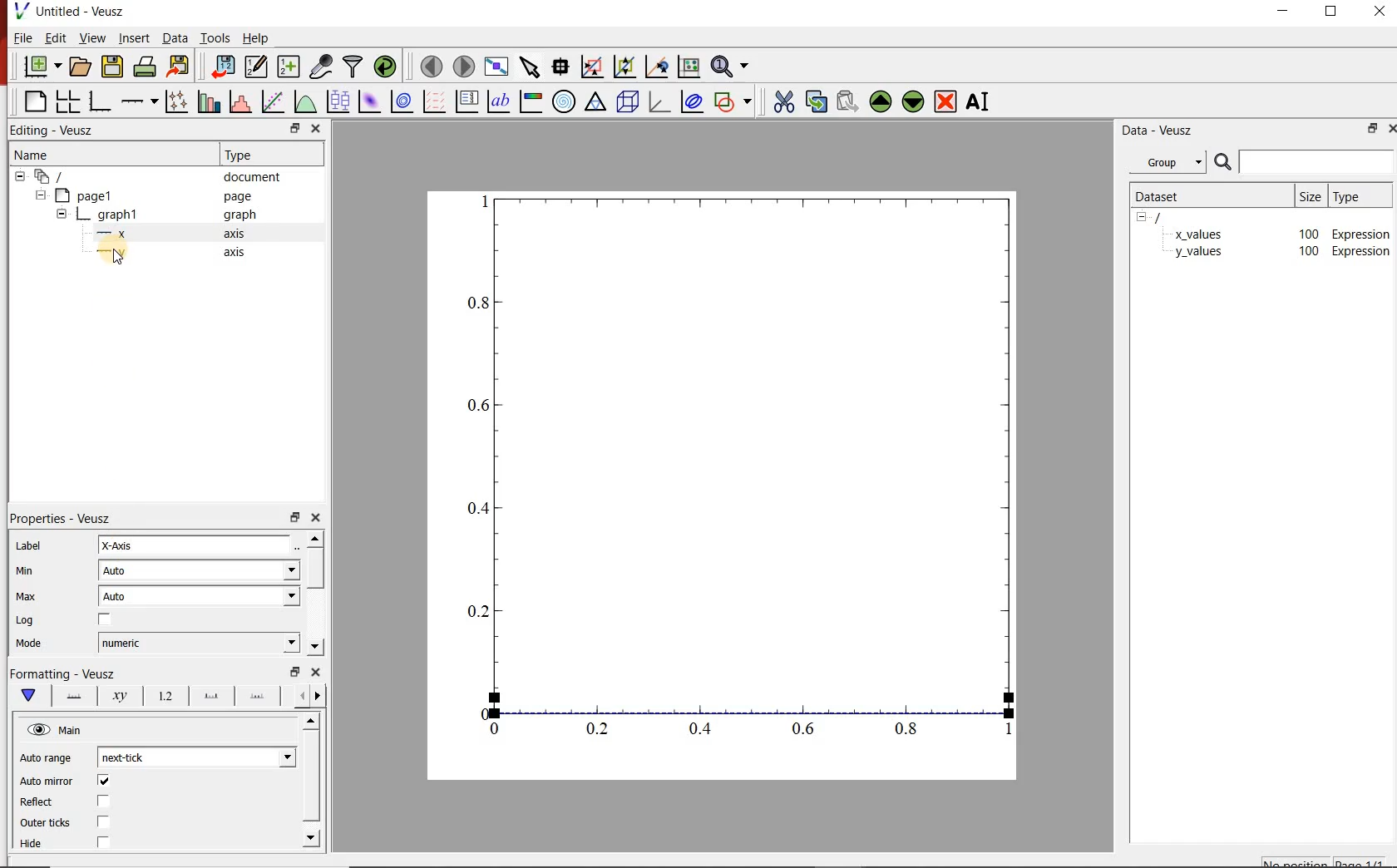  I want to click on axis lane, so click(75, 698).